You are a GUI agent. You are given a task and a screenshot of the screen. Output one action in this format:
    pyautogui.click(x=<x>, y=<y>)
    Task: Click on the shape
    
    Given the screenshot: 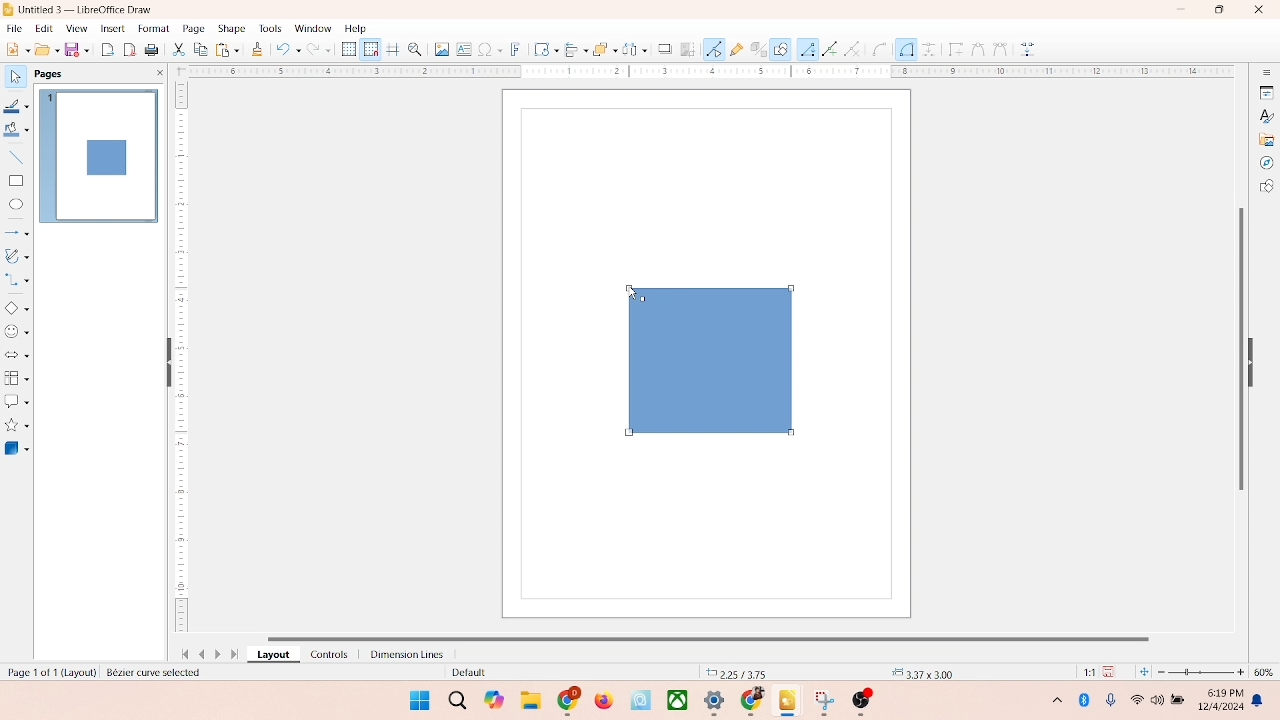 What is the action you would take?
    pyautogui.click(x=231, y=28)
    